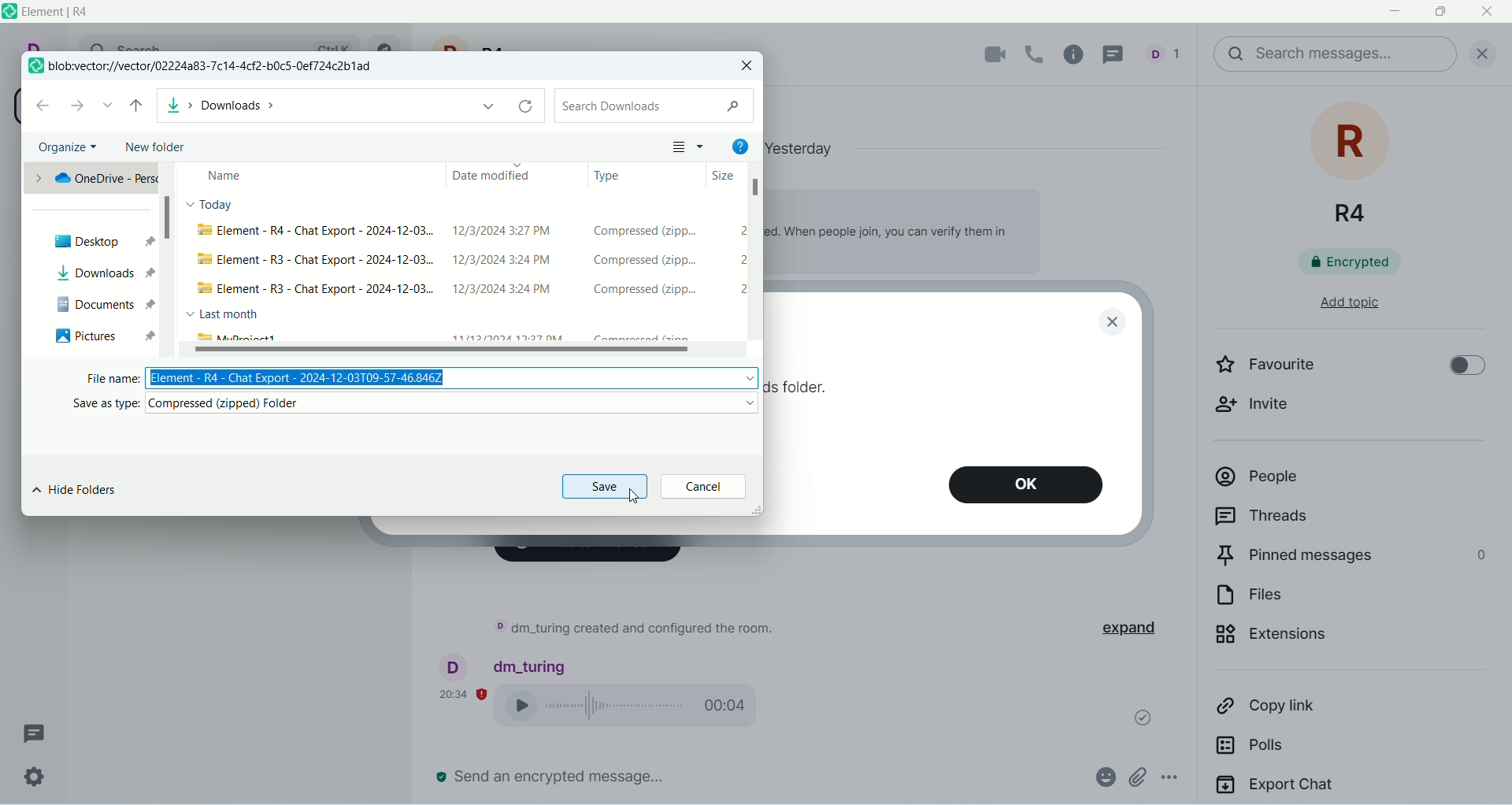 This screenshot has width=1512, height=805. What do you see at coordinates (1439, 14) in the screenshot?
I see `maximize` at bounding box center [1439, 14].